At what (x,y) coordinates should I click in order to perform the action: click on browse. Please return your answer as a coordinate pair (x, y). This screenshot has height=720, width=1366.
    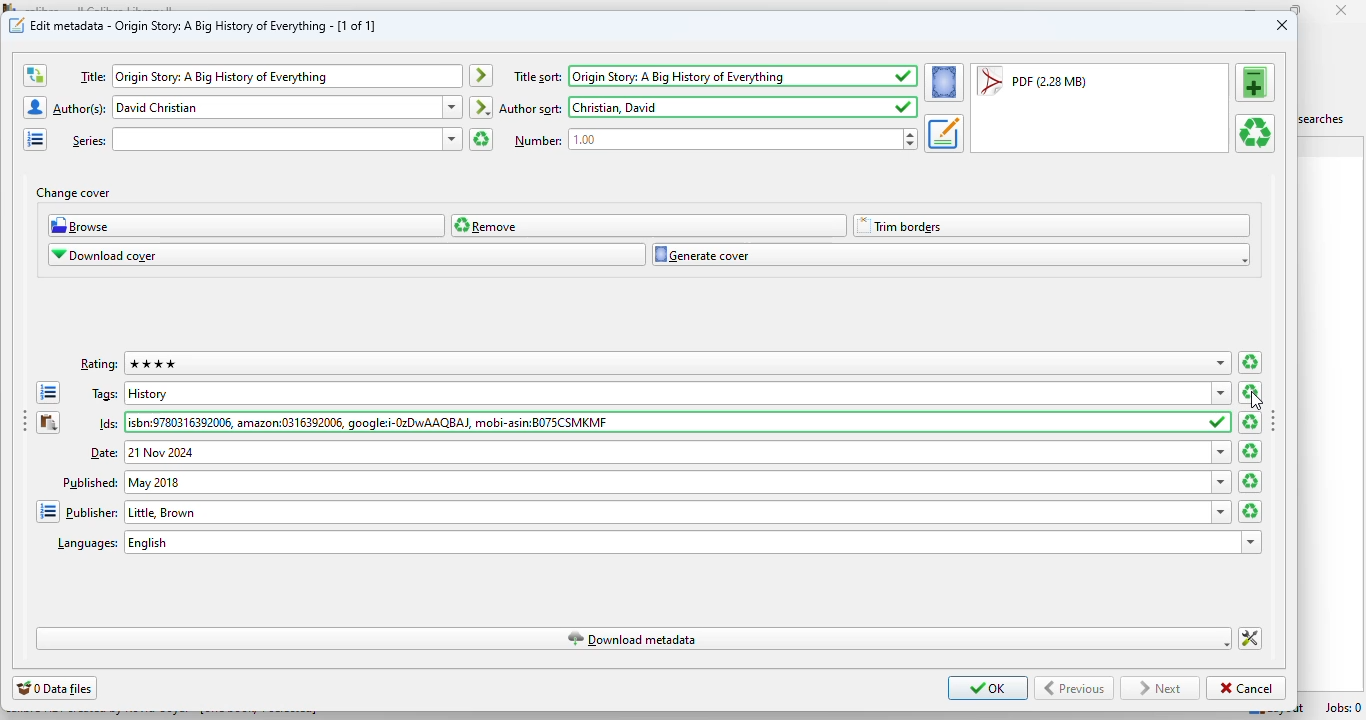
    Looking at the image, I should click on (246, 225).